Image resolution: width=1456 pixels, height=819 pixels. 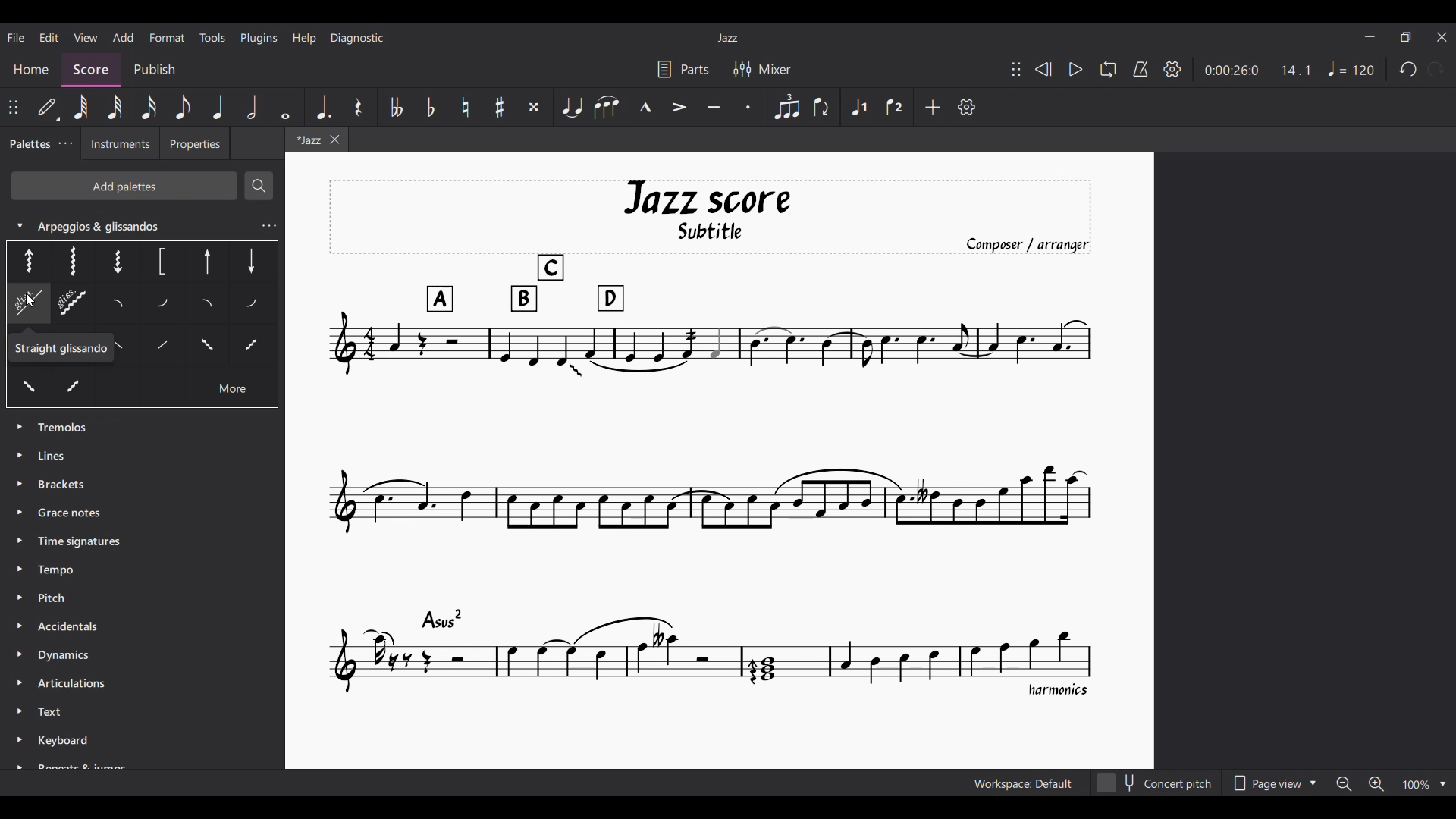 What do you see at coordinates (896, 106) in the screenshot?
I see `Voice 2` at bounding box center [896, 106].